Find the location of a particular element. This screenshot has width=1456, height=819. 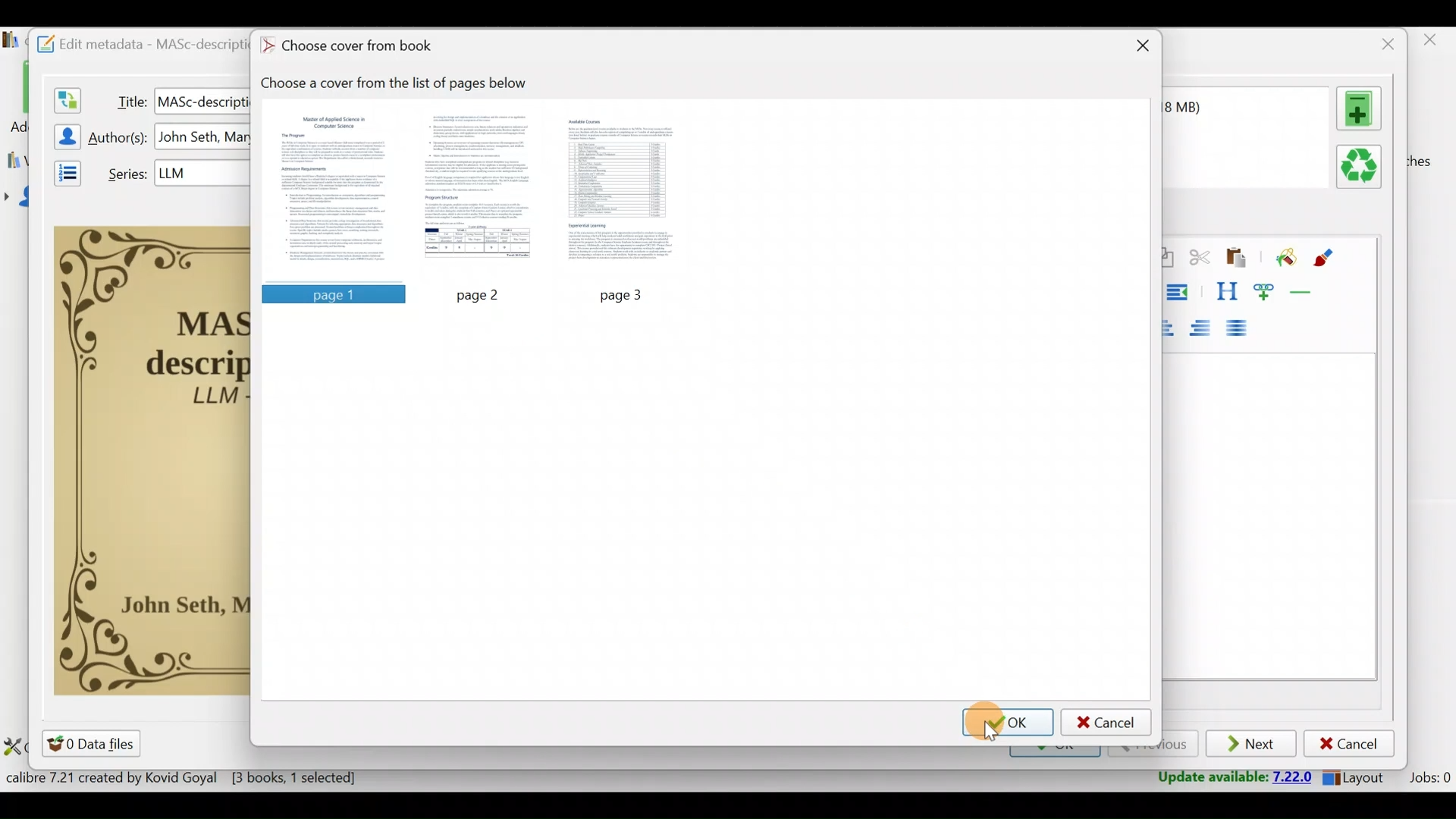

Cut is located at coordinates (1200, 260).